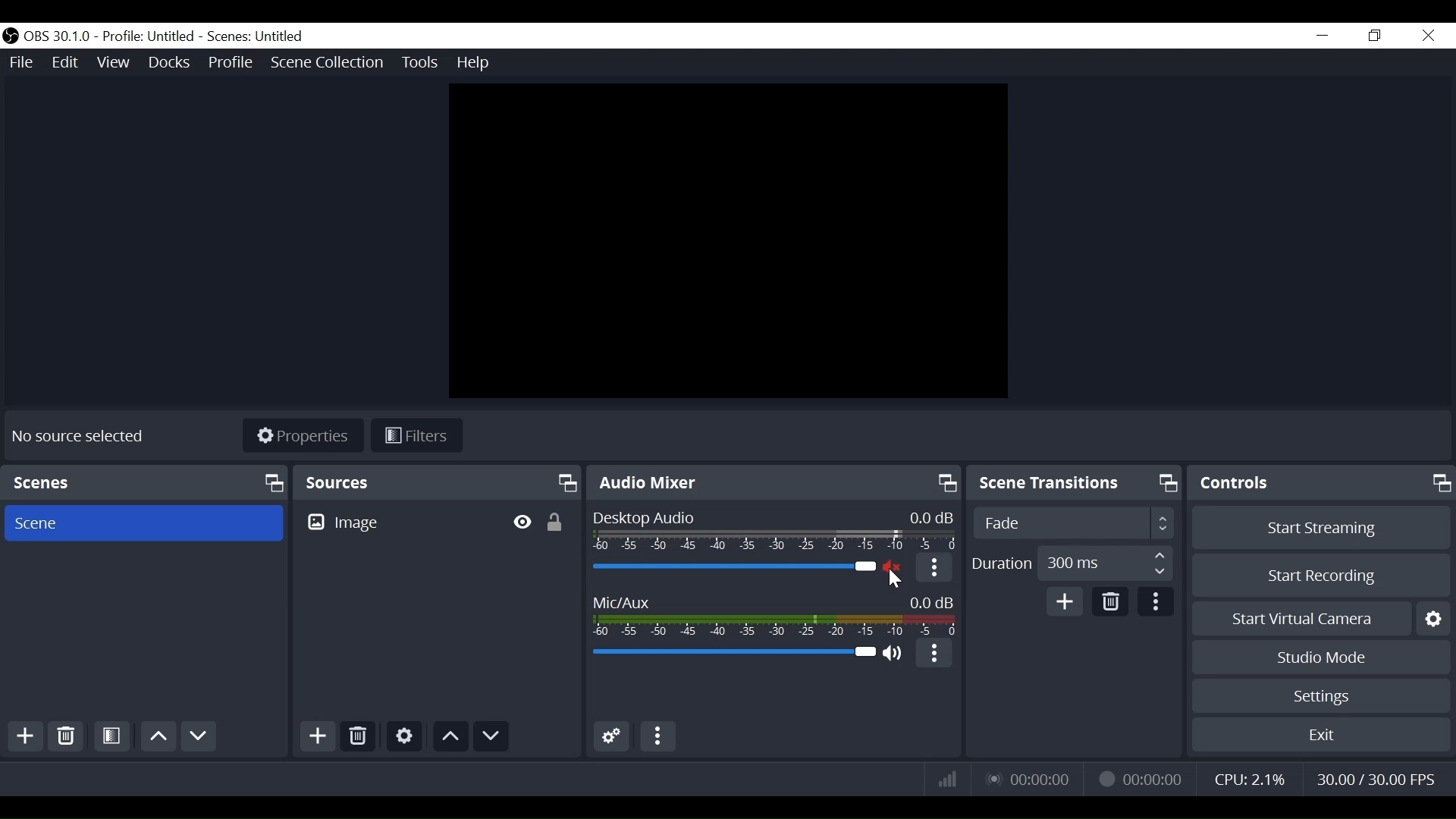 The image size is (1456, 819). What do you see at coordinates (1318, 529) in the screenshot?
I see `Start Streaming` at bounding box center [1318, 529].